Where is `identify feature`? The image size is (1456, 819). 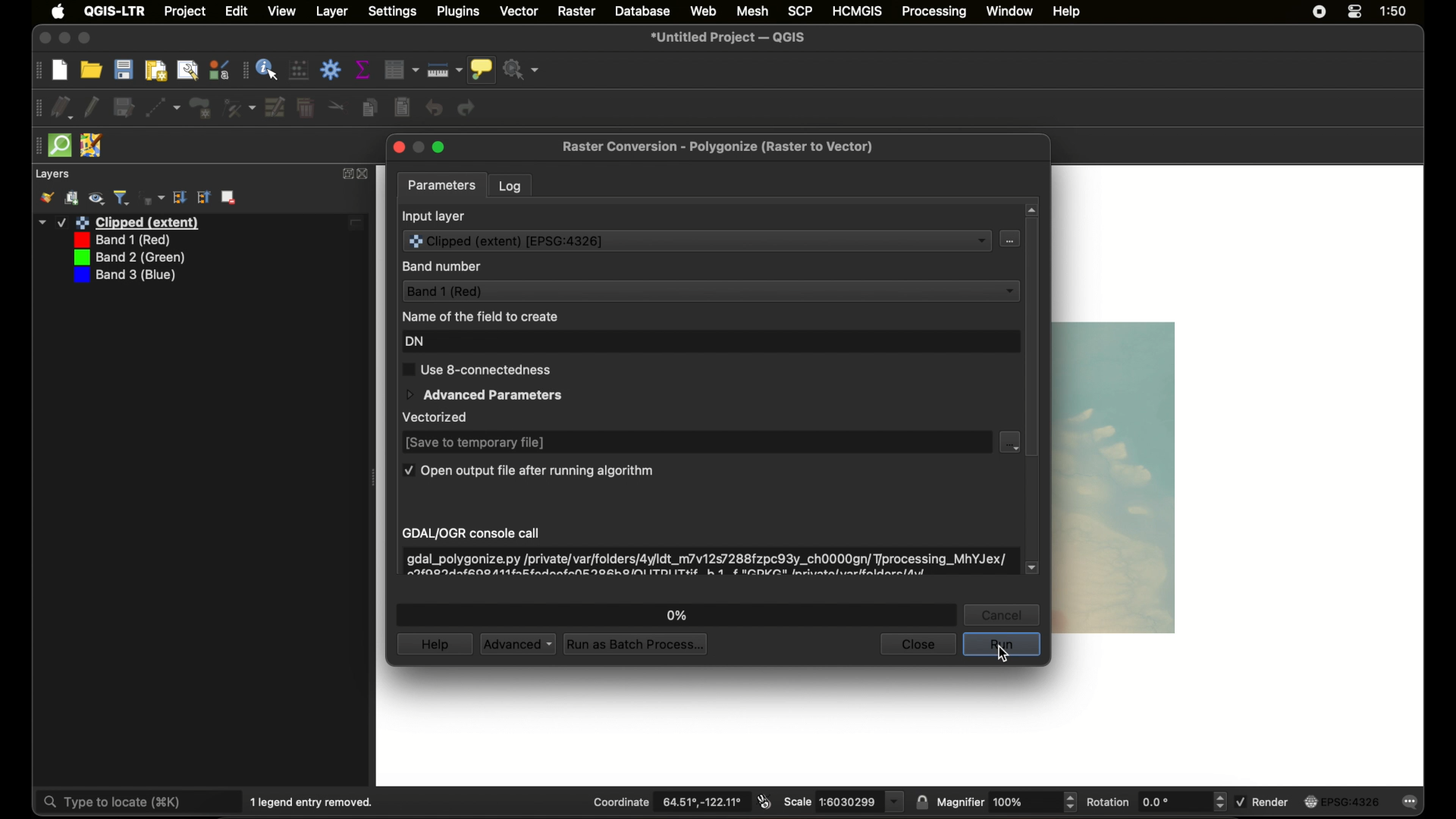
identify feature is located at coordinates (268, 69).